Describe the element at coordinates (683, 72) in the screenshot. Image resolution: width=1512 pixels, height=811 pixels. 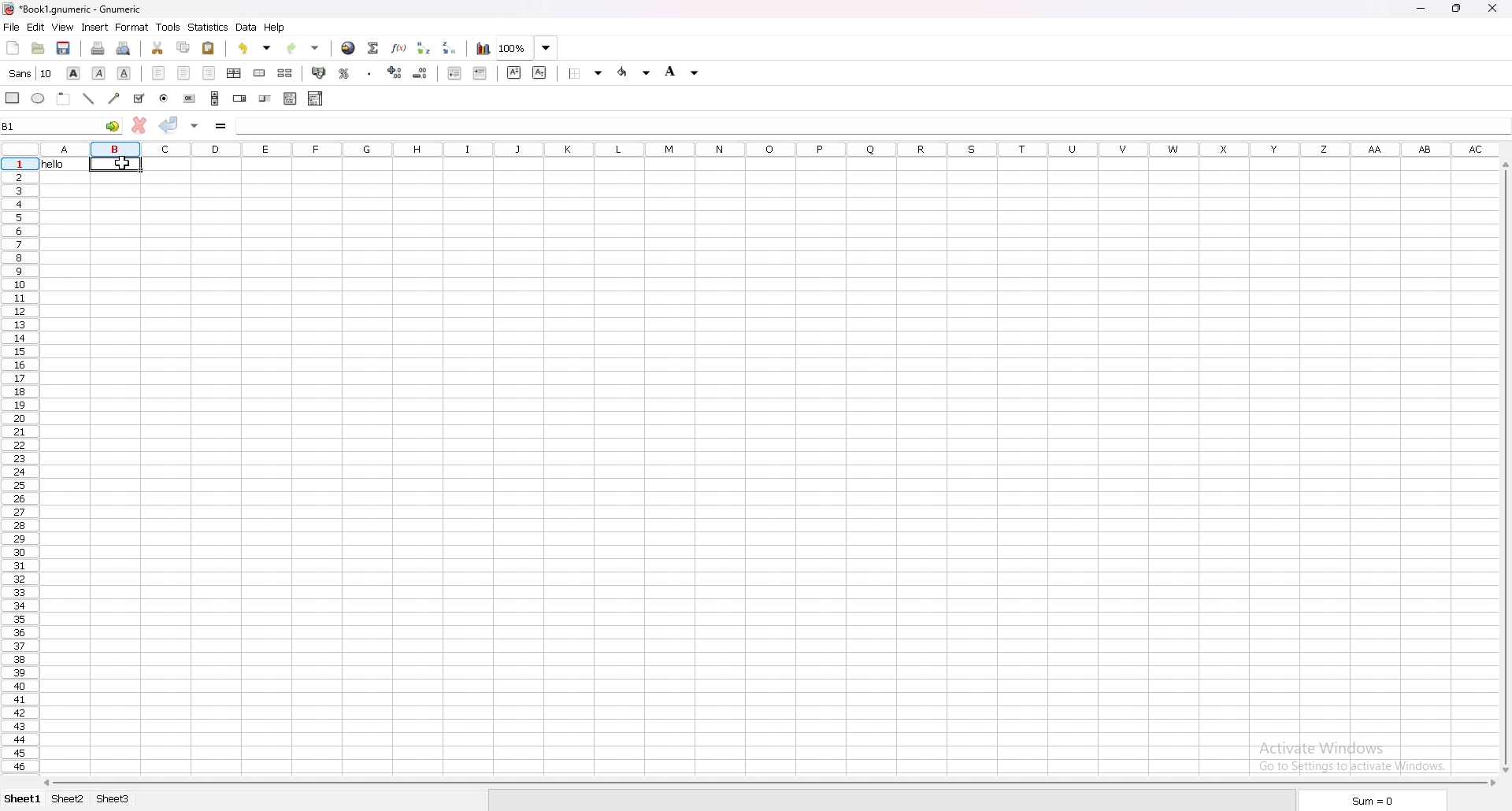
I see `foreground` at that location.